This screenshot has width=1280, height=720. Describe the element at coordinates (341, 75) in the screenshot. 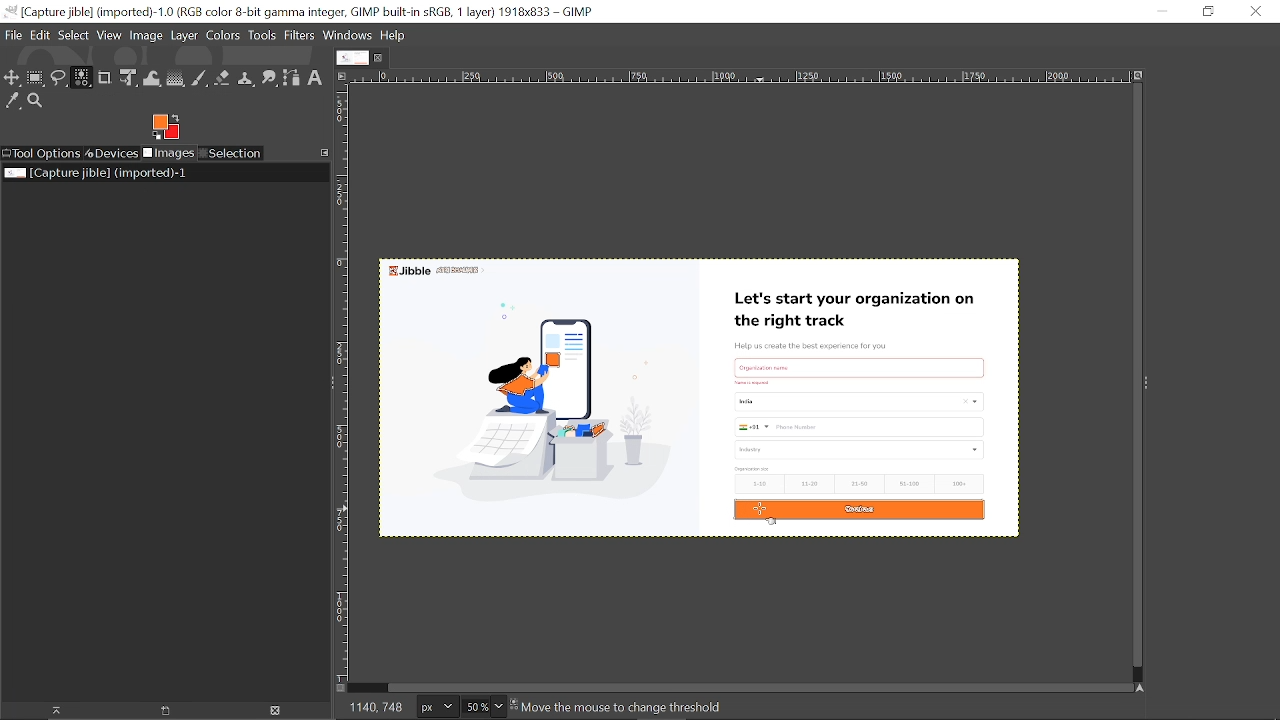

I see `Access this image menu` at that location.